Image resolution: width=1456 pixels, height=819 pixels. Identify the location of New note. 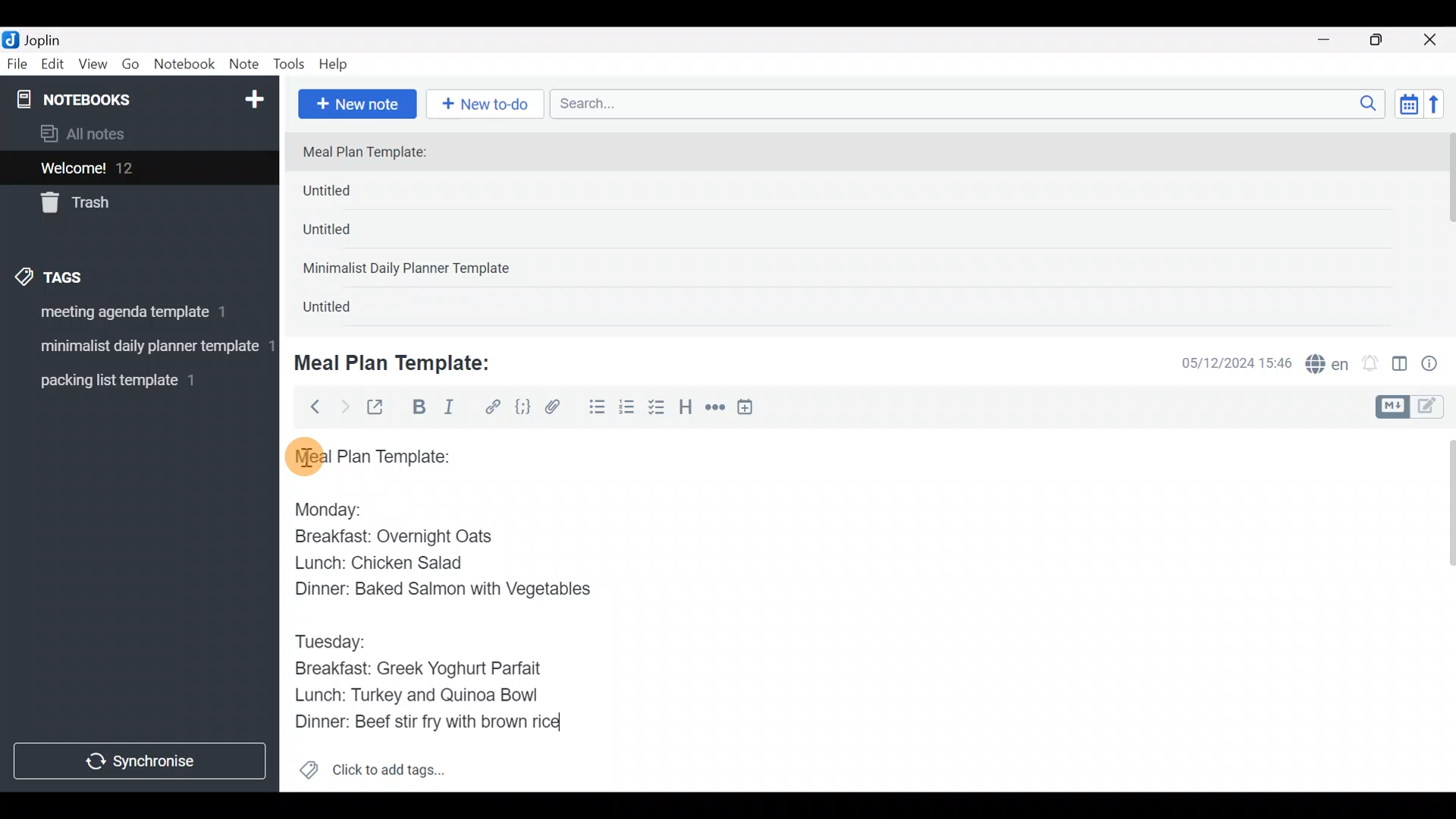
(356, 102).